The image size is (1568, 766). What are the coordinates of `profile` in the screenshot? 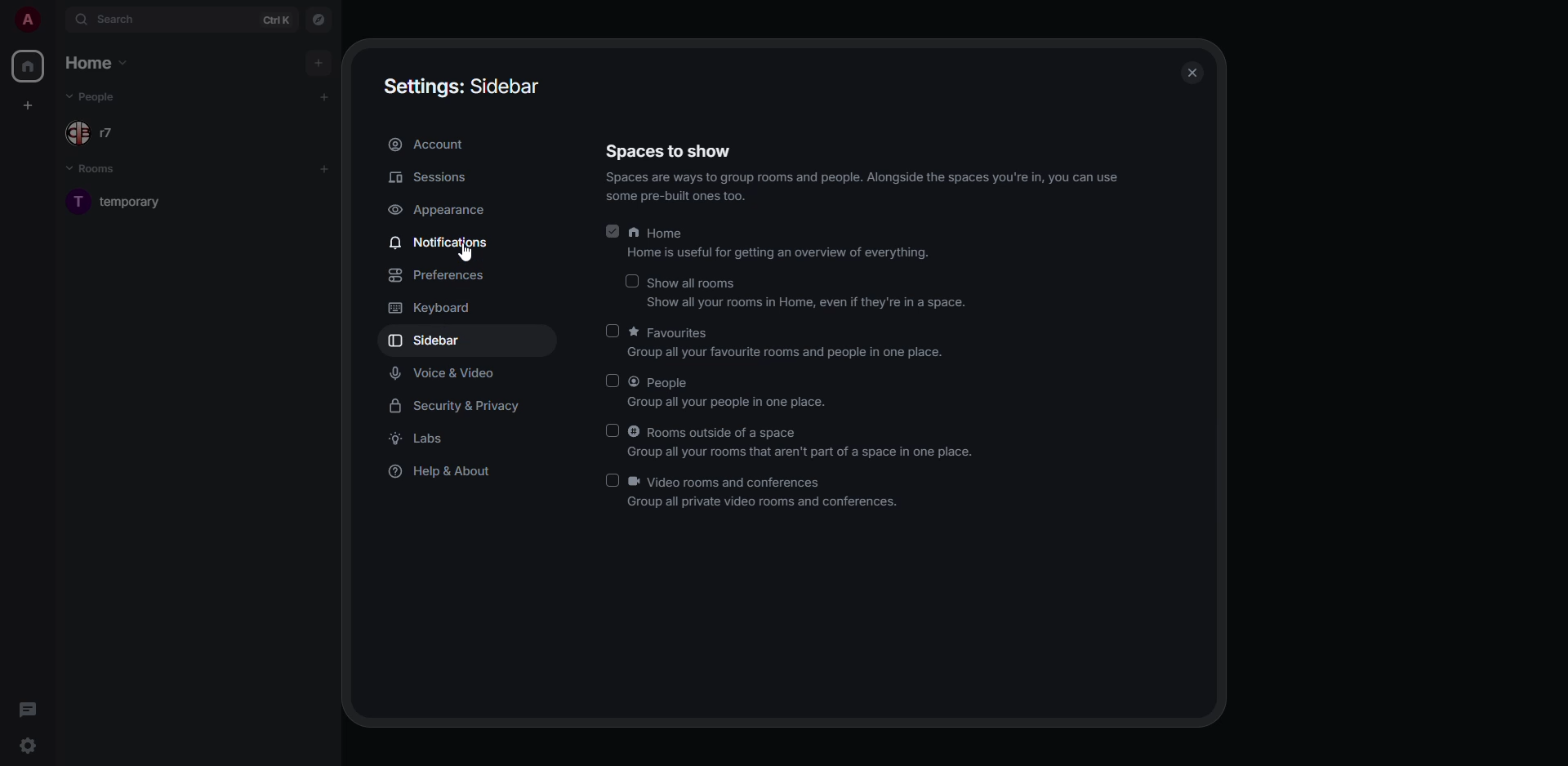 It's located at (27, 19).